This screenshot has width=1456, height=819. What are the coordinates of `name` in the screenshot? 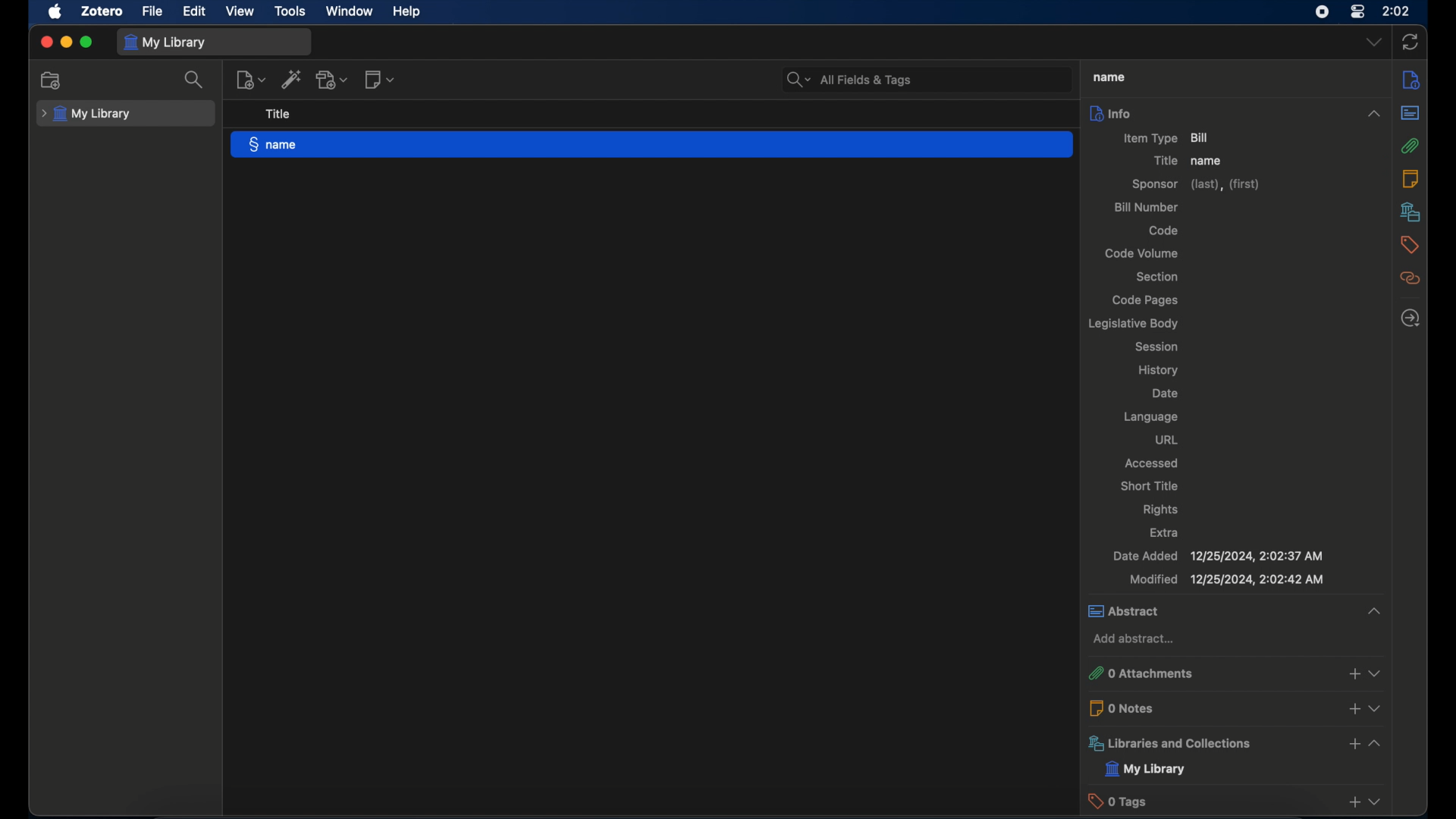 It's located at (1209, 161).